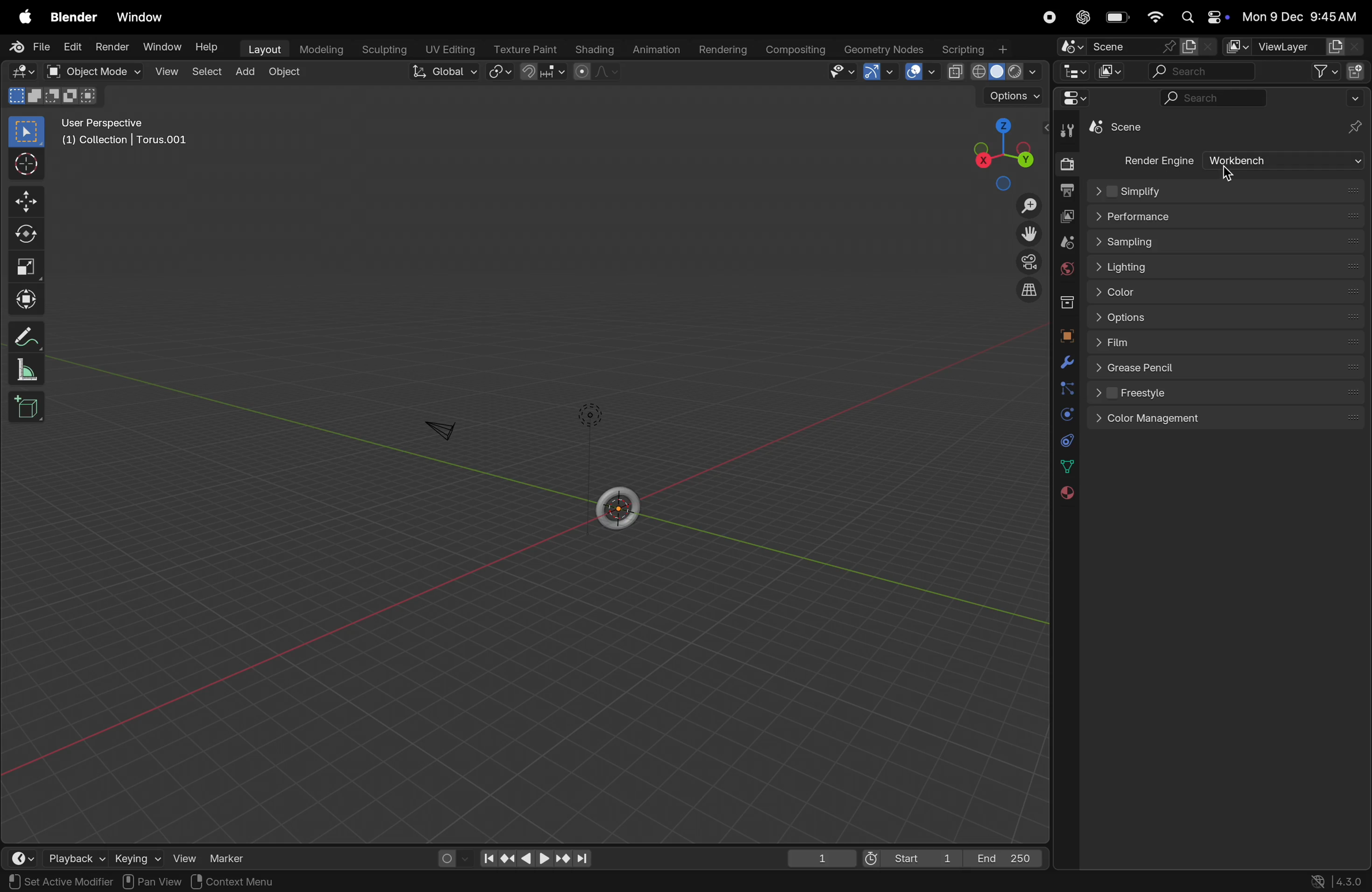  I want to click on constraints data physics, so click(1064, 440).